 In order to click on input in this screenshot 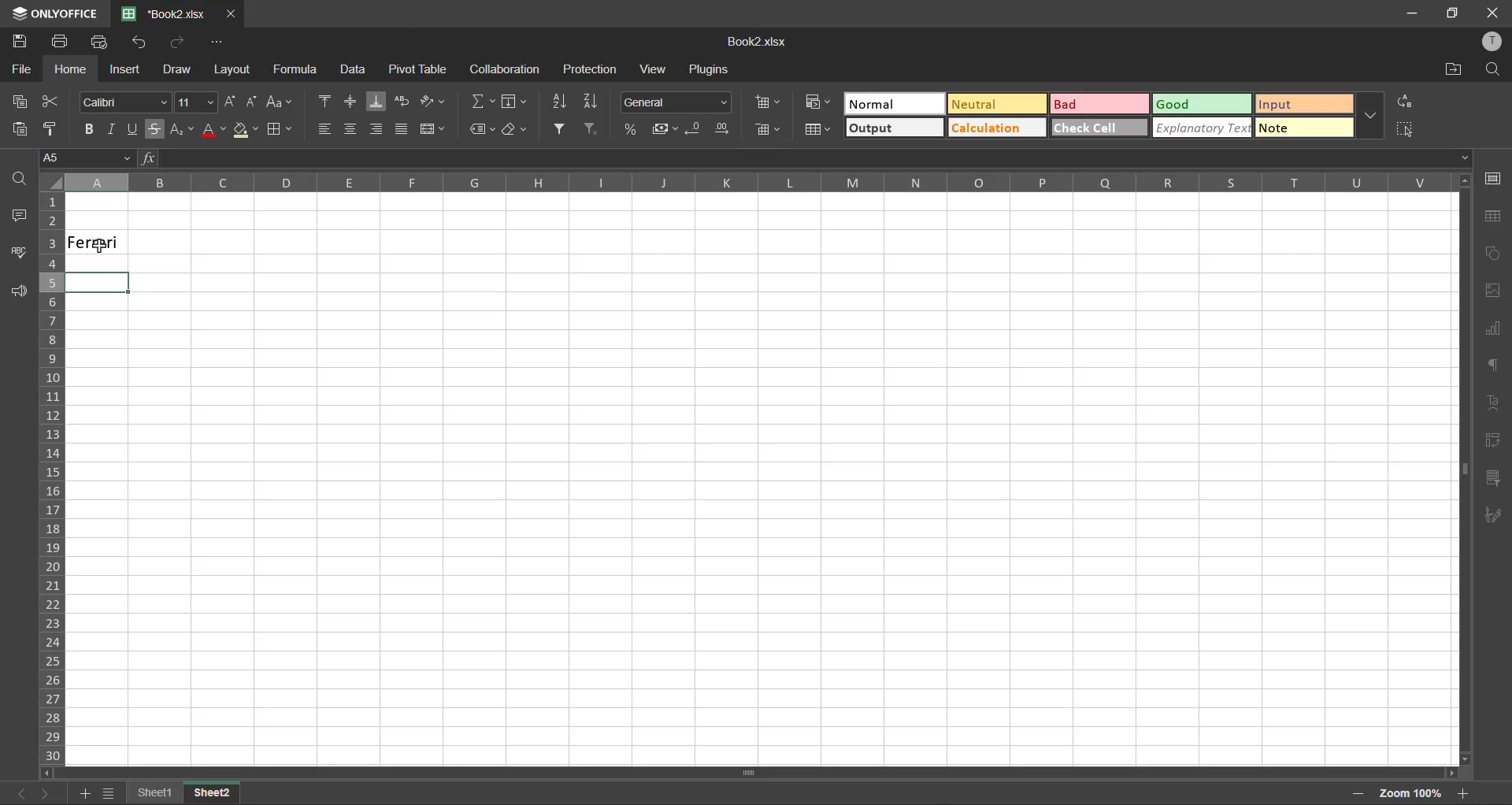, I will do `click(1305, 106)`.